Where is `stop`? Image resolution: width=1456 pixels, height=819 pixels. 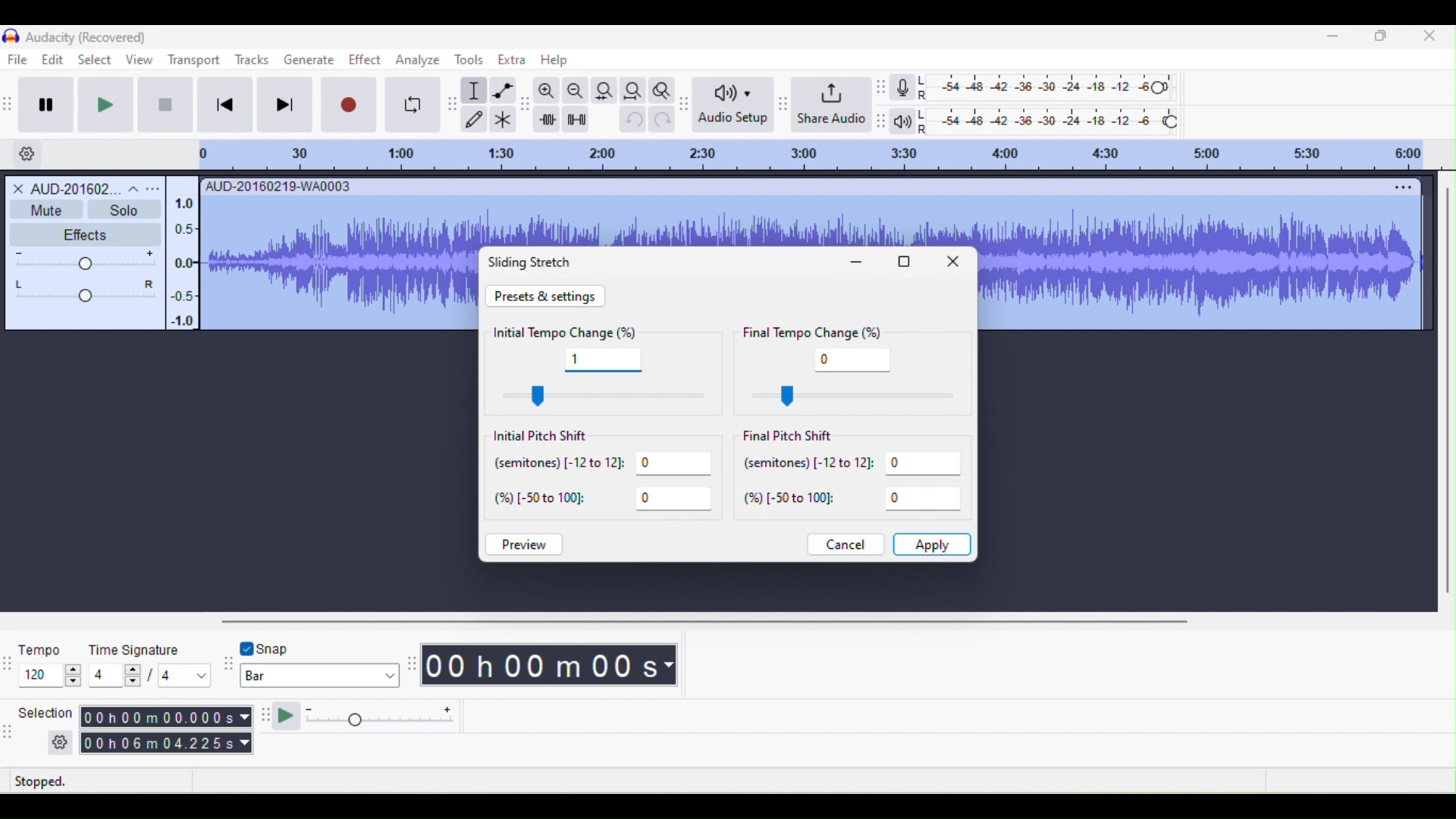
stop is located at coordinates (163, 104).